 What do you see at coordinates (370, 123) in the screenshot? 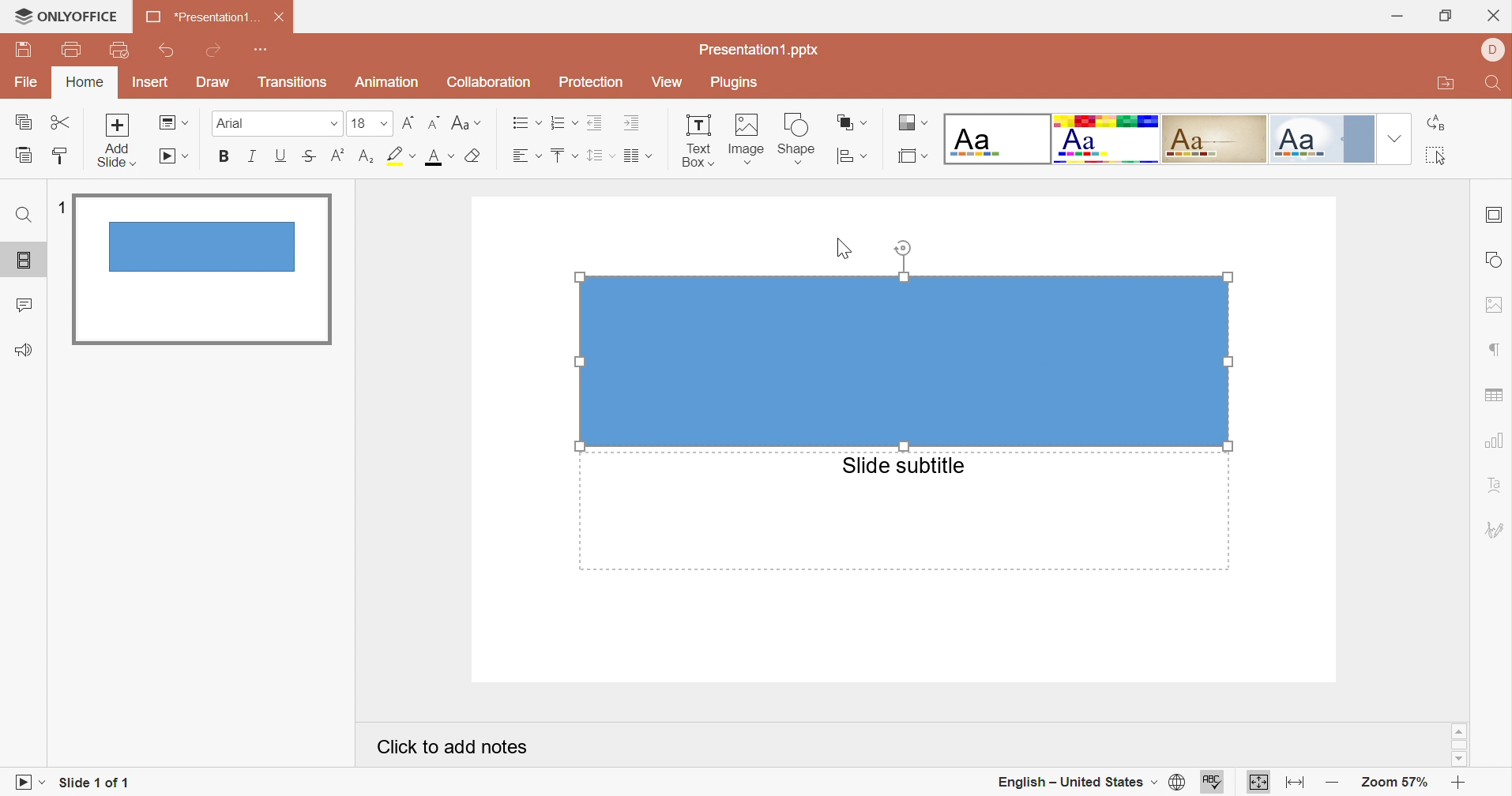
I see `Font size` at bounding box center [370, 123].